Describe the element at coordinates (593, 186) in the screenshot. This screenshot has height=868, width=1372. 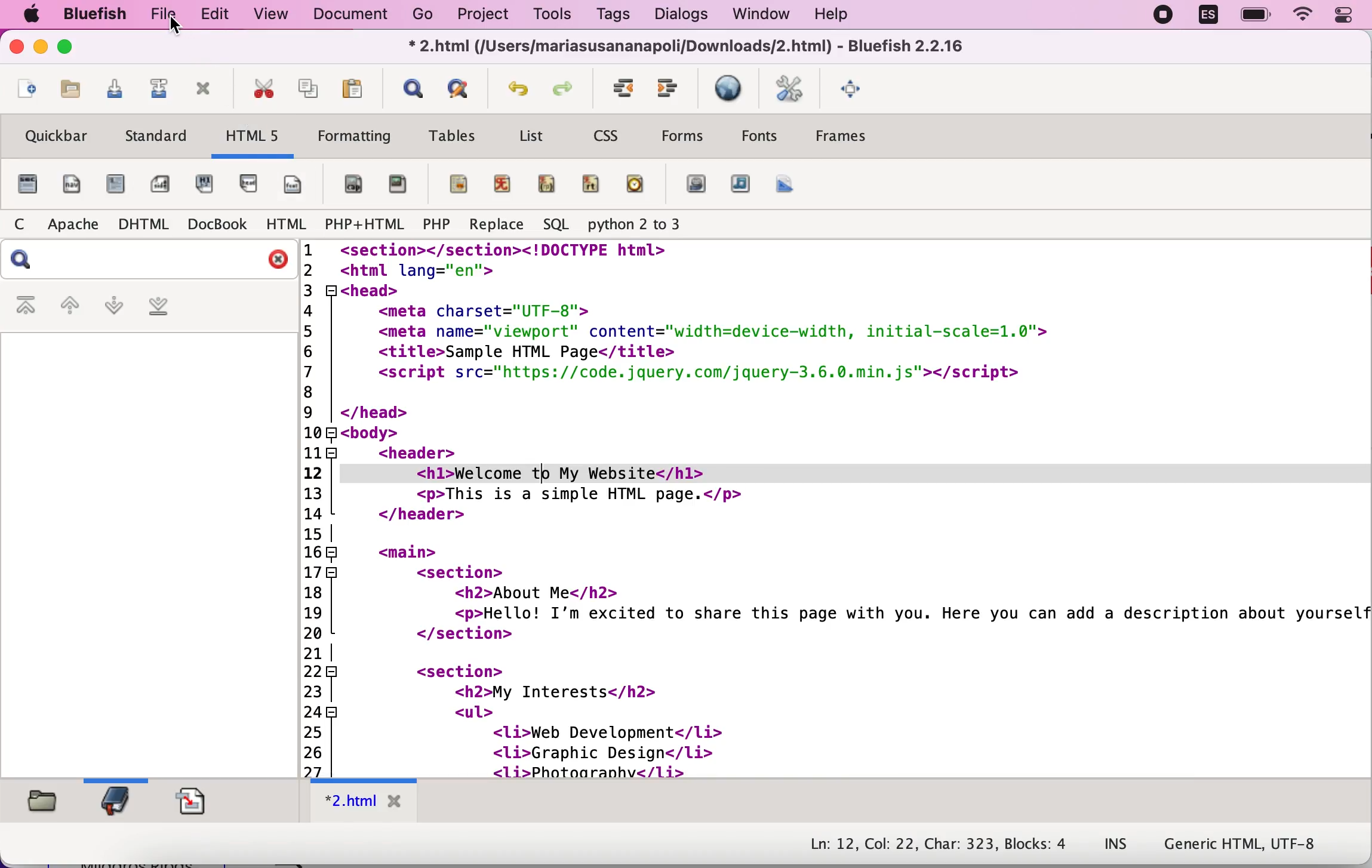
I see `ruby text` at that location.